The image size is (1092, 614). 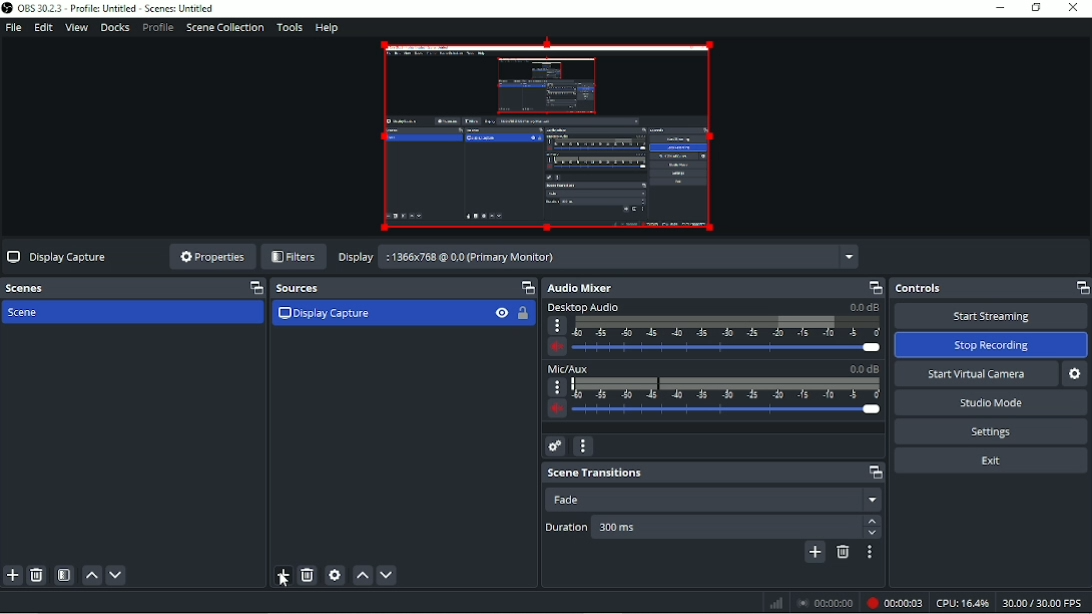 What do you see at coordinates (711, 397) in the screenshot?
I see `Mic/AUX Slider` at bounding box center [711, 397].